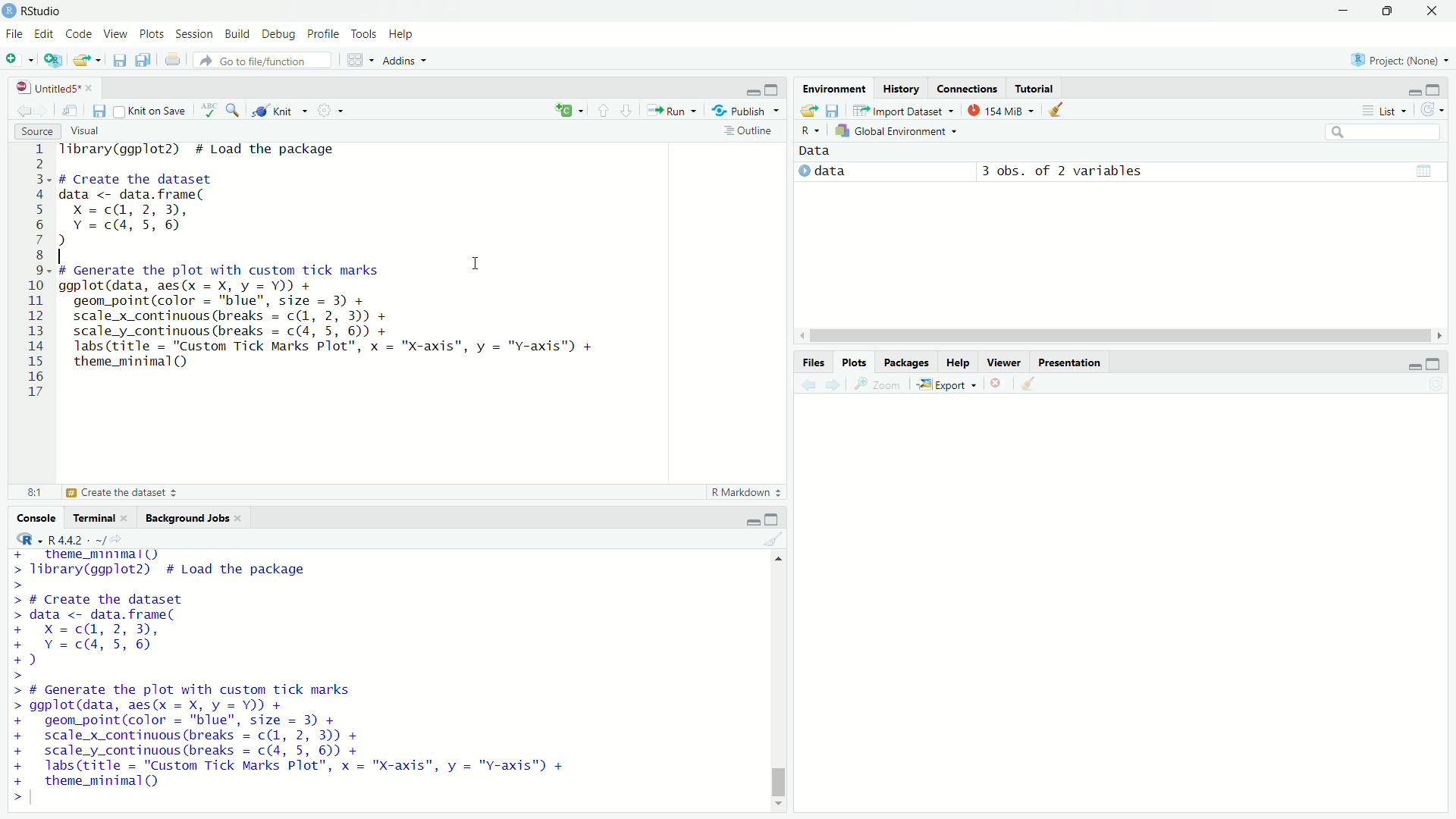 The height and width of the screenshot is (819, 1456). Describe the element at coordinates (780, 563) in the screenshot. I see `move up` at that location.